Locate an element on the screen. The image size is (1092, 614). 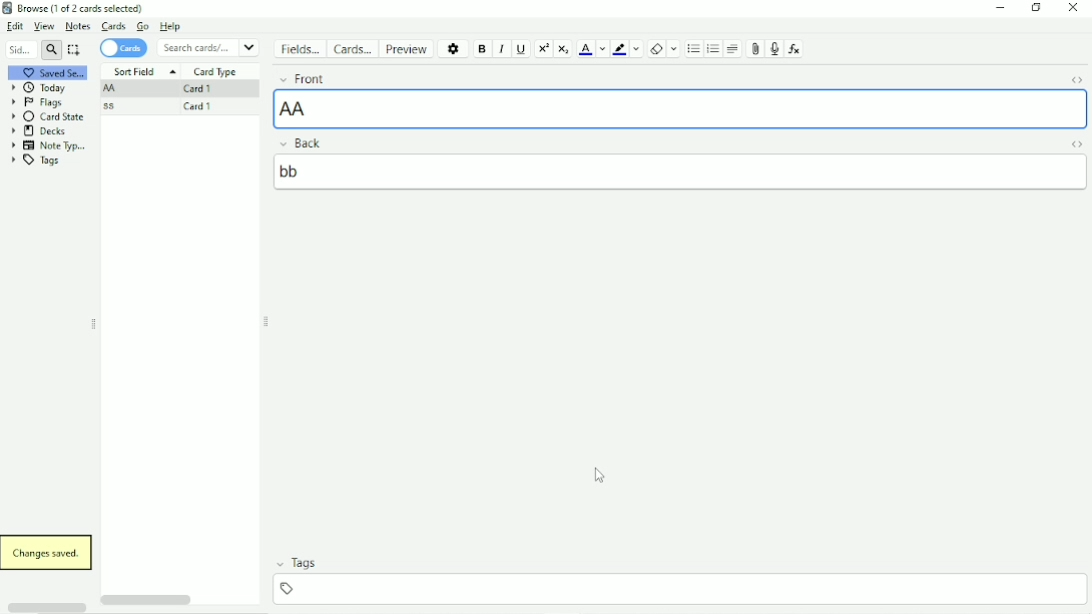
Options is located at coordinates (452, 48).